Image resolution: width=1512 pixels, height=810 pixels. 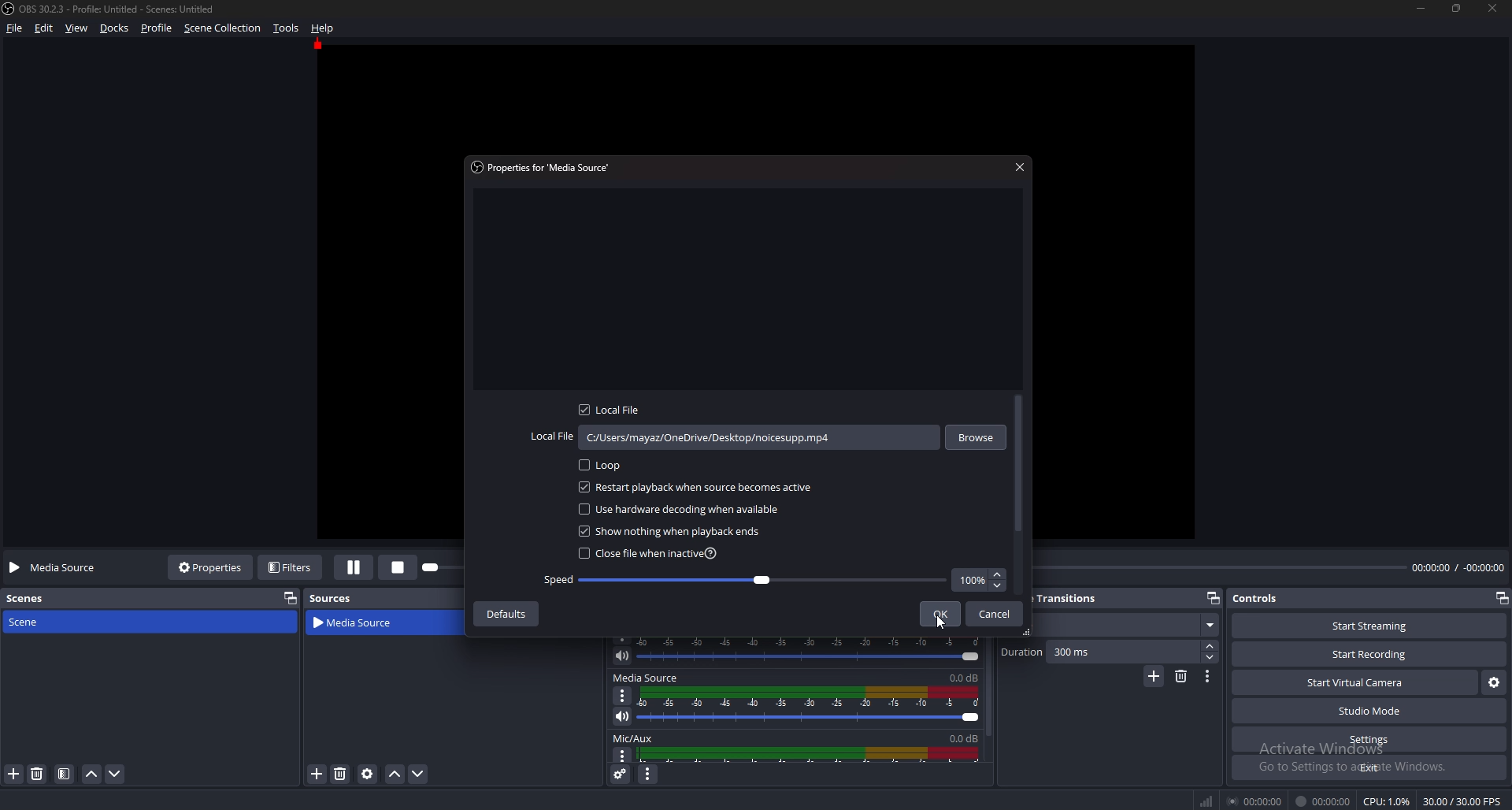 I want to click on Use hardware decoding when available, so click(x=684, y=508).